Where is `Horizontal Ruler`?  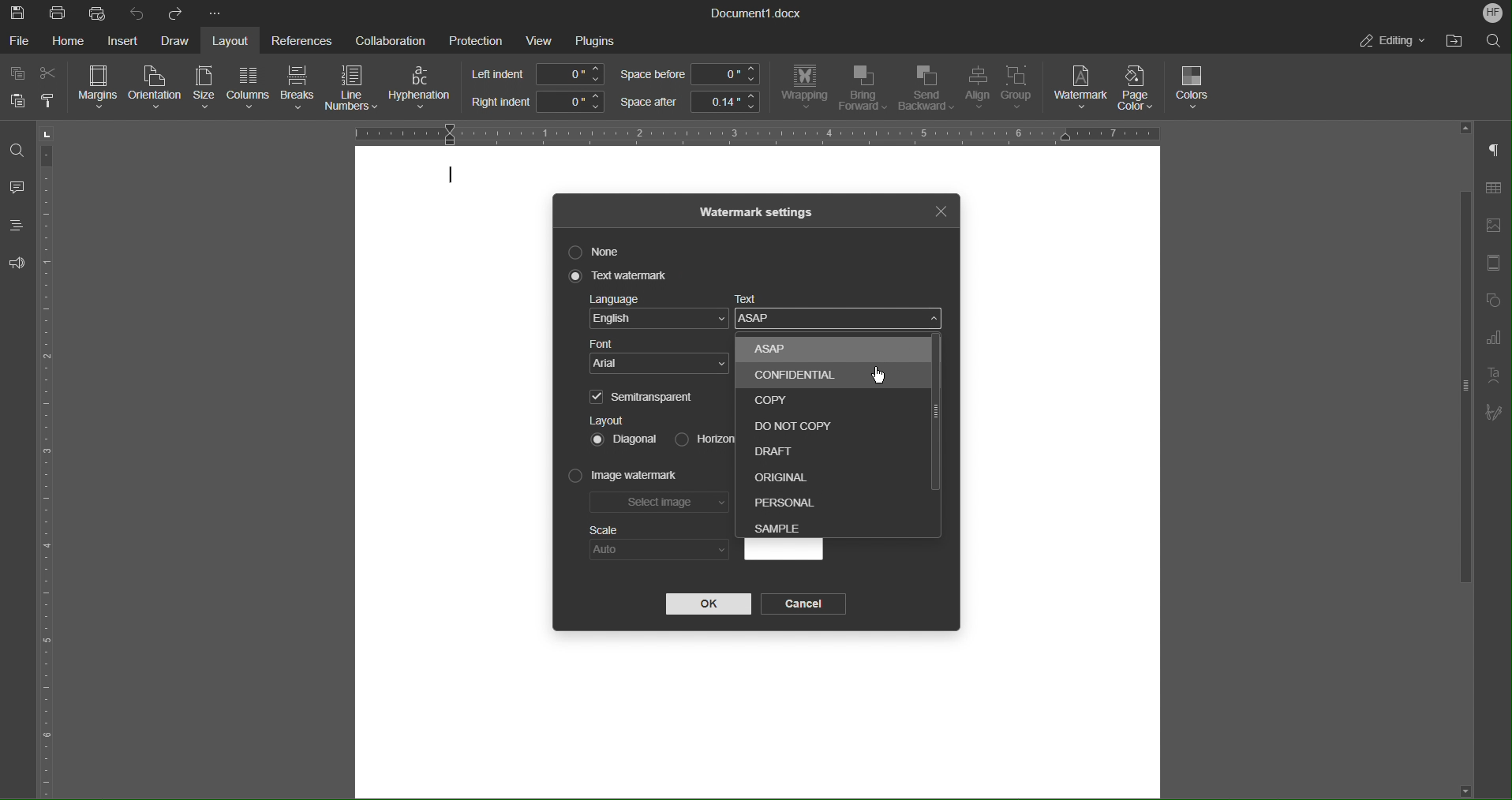
Horizontal Ruler is located at coordinates (750, 132).